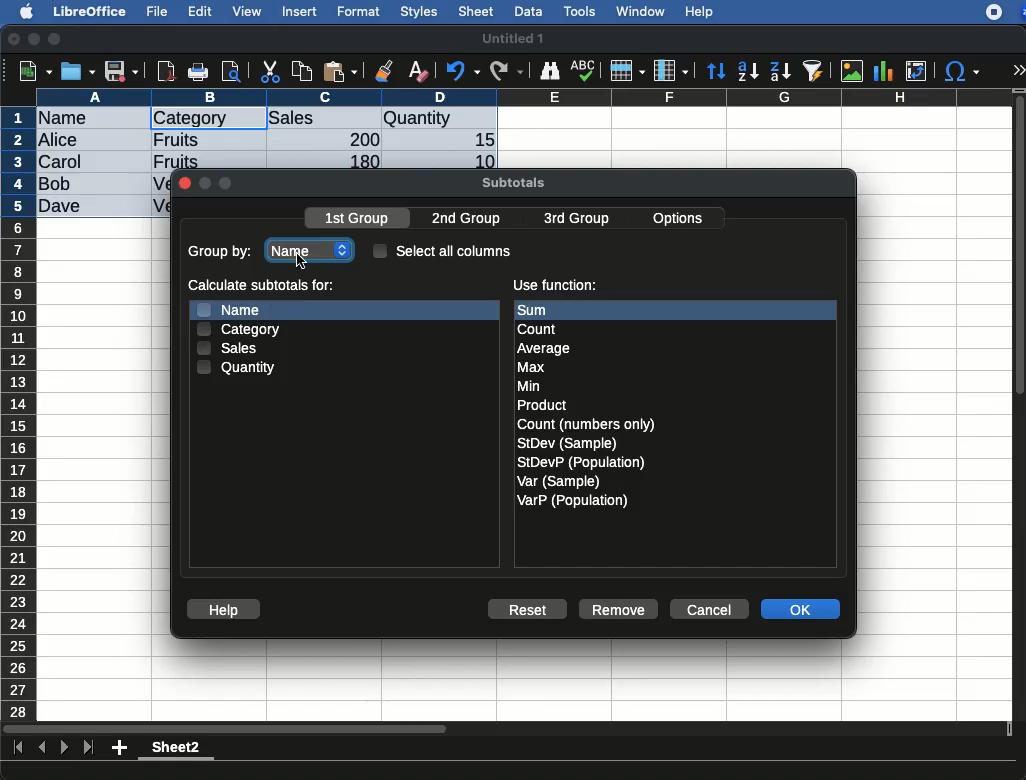  I want to click on column, so click(525, 97).